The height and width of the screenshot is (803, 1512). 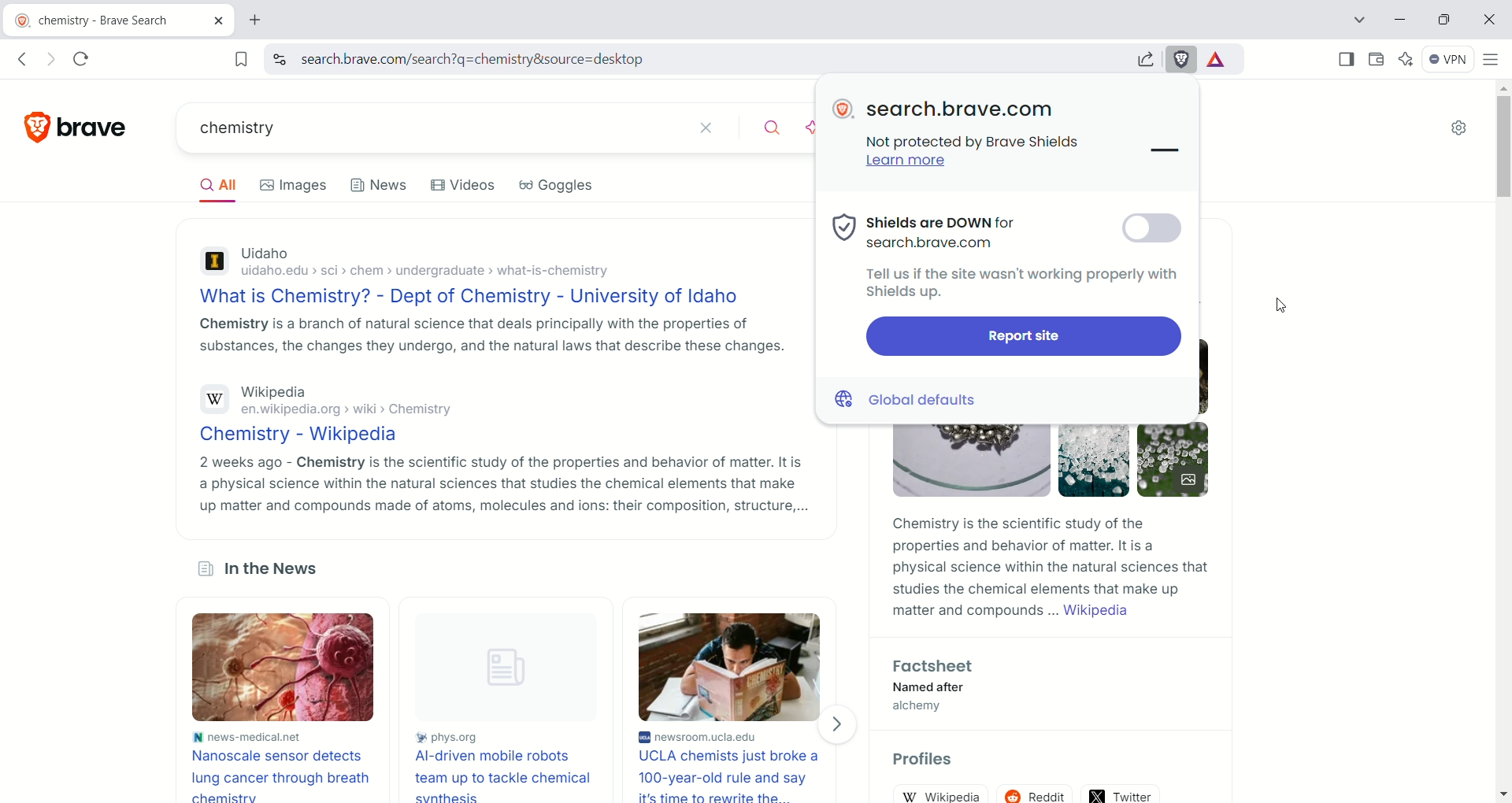 I want to click on 2 weeks ago - Chemistry is the scientific study of the properties and behavior of matter. It is a physical science within the natural sciences that studies the chemical elements that make up matter and compounds made of atoms, molecules and ions: their composition, structure,..., so click(x=500, y=483).